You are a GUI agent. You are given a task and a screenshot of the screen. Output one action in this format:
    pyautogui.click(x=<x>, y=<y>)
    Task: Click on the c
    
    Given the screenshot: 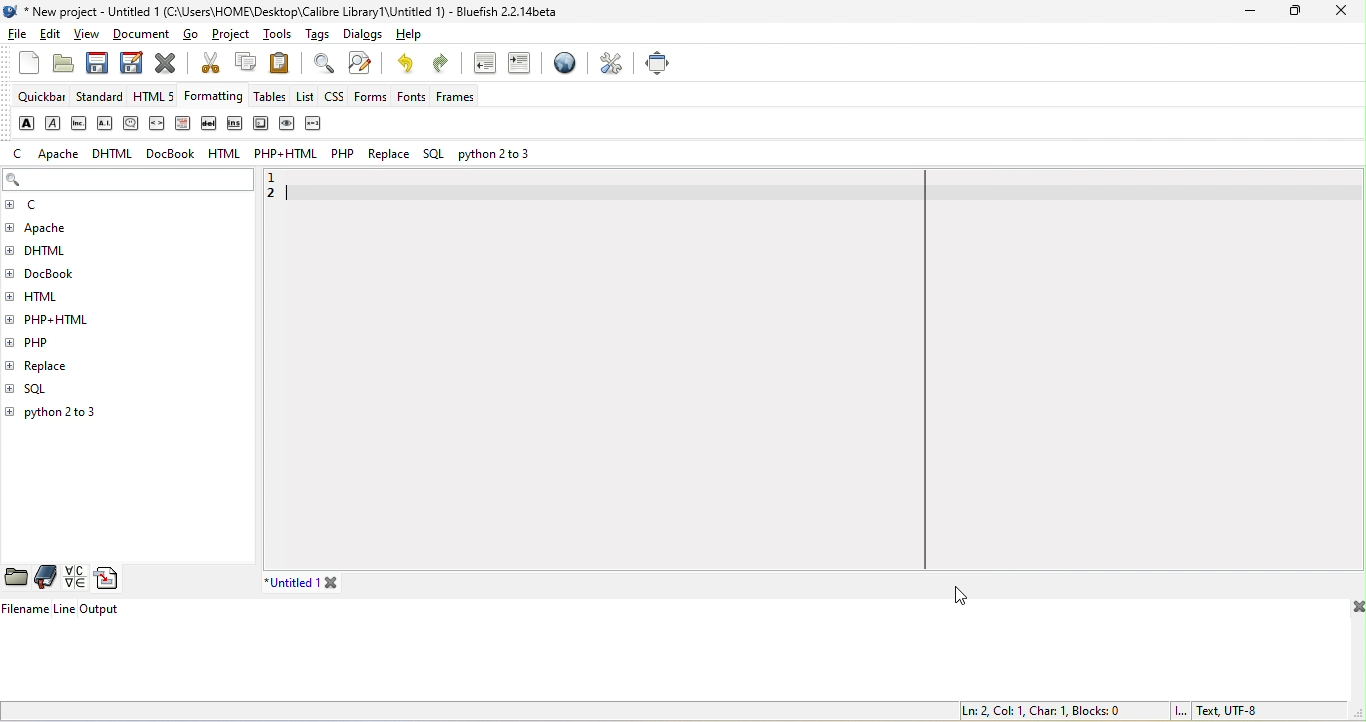 What is the action you would take?
    pyautogui.click(x=19, y=154)
    